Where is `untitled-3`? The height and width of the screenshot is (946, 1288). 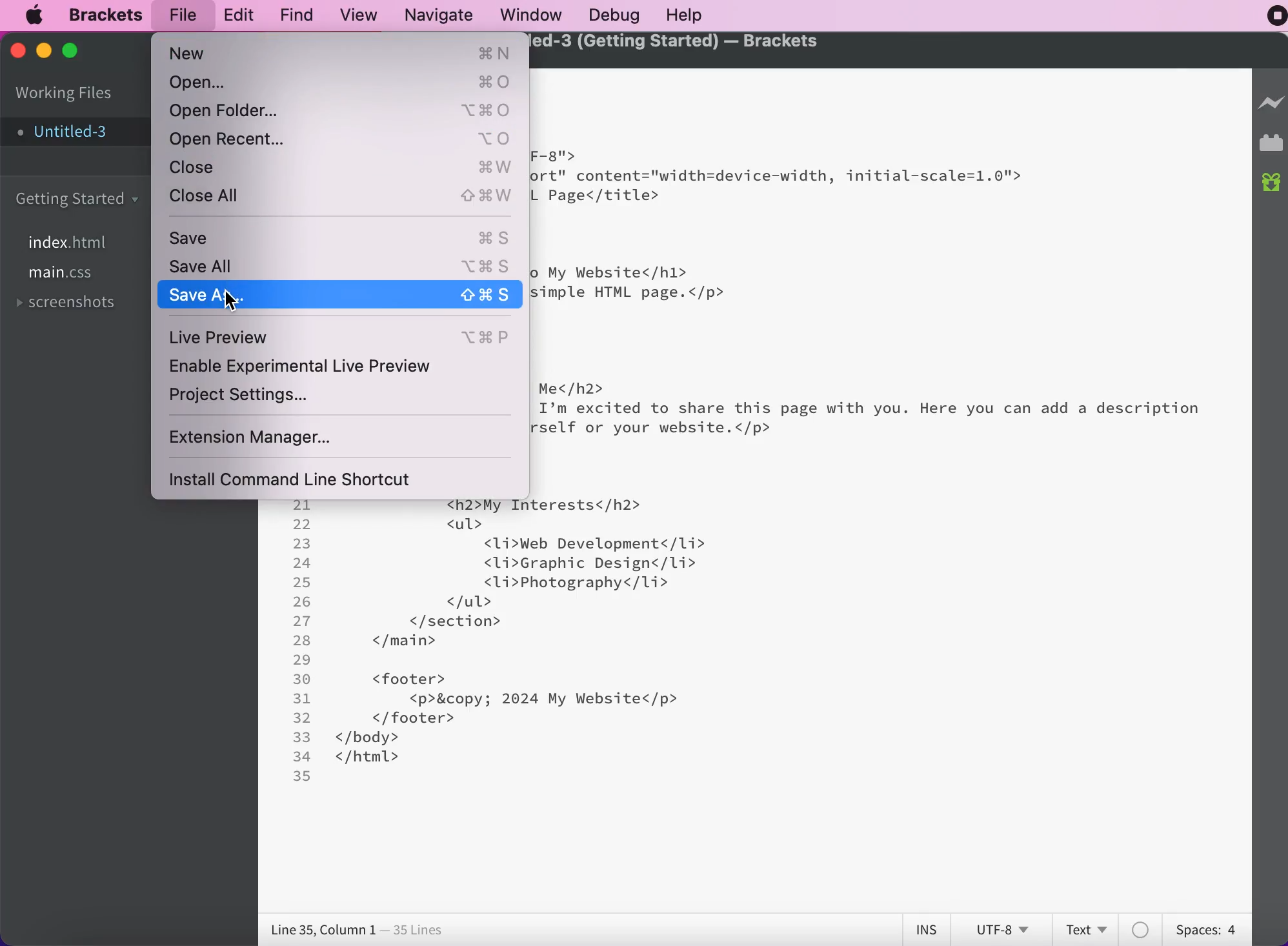 untitled-3 is located at coordinates (71, 133).